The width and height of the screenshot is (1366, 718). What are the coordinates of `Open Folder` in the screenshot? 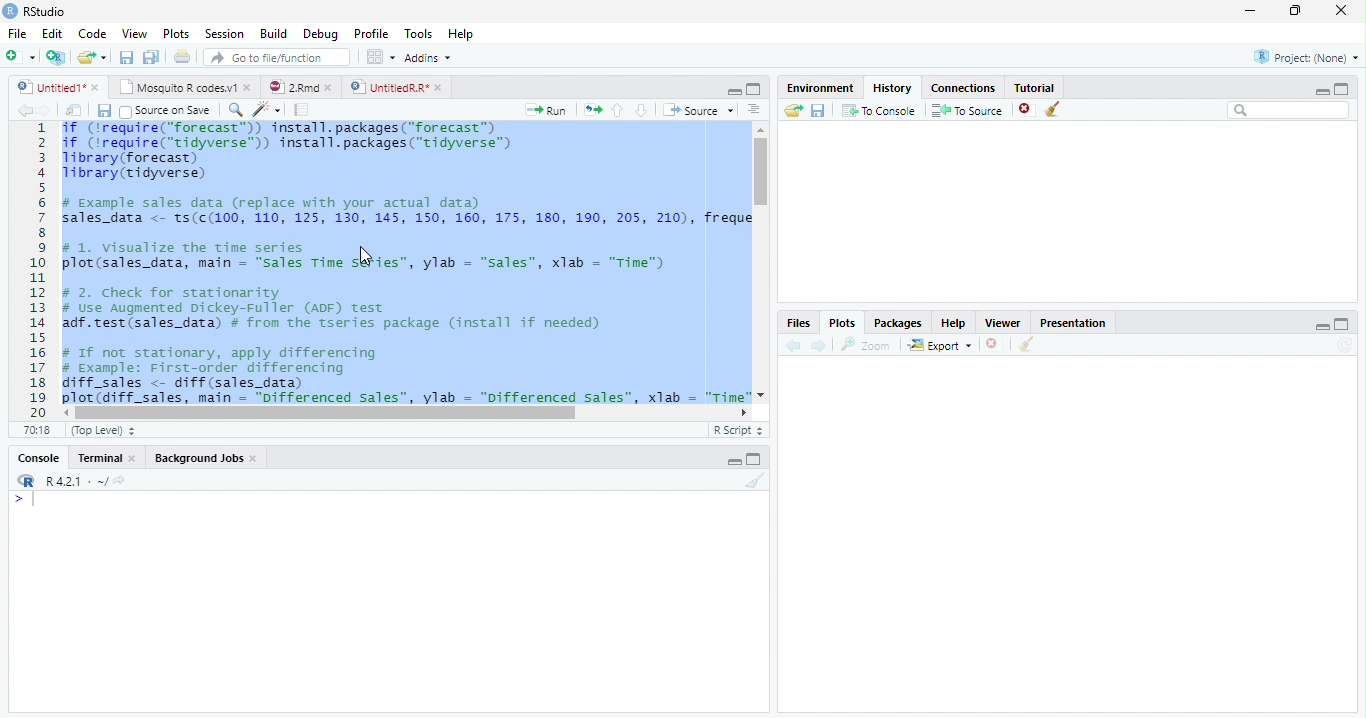 It's located at (793, 111).